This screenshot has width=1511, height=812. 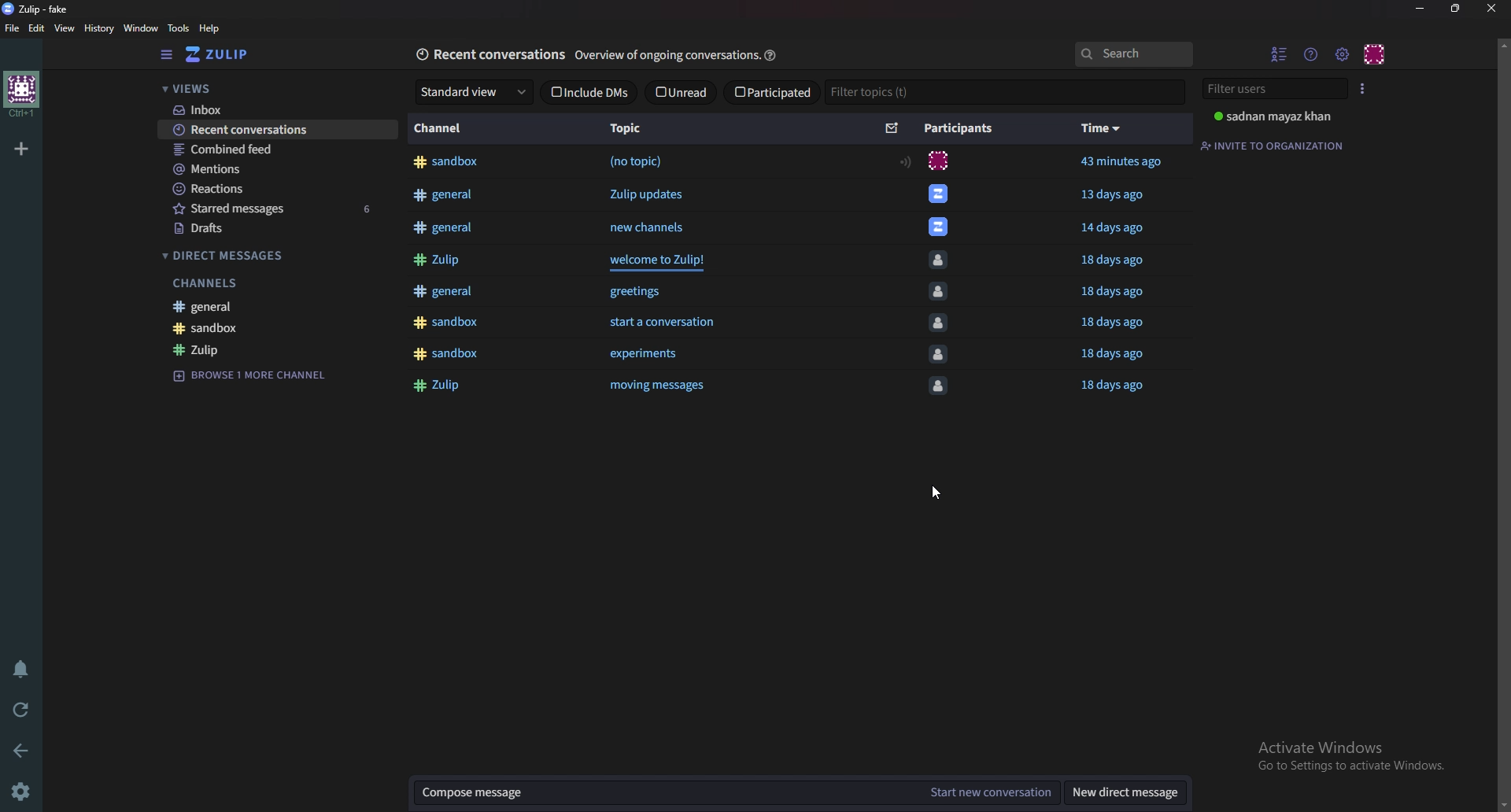 I want to click on Hide user list, so click(x=1280, y=53).